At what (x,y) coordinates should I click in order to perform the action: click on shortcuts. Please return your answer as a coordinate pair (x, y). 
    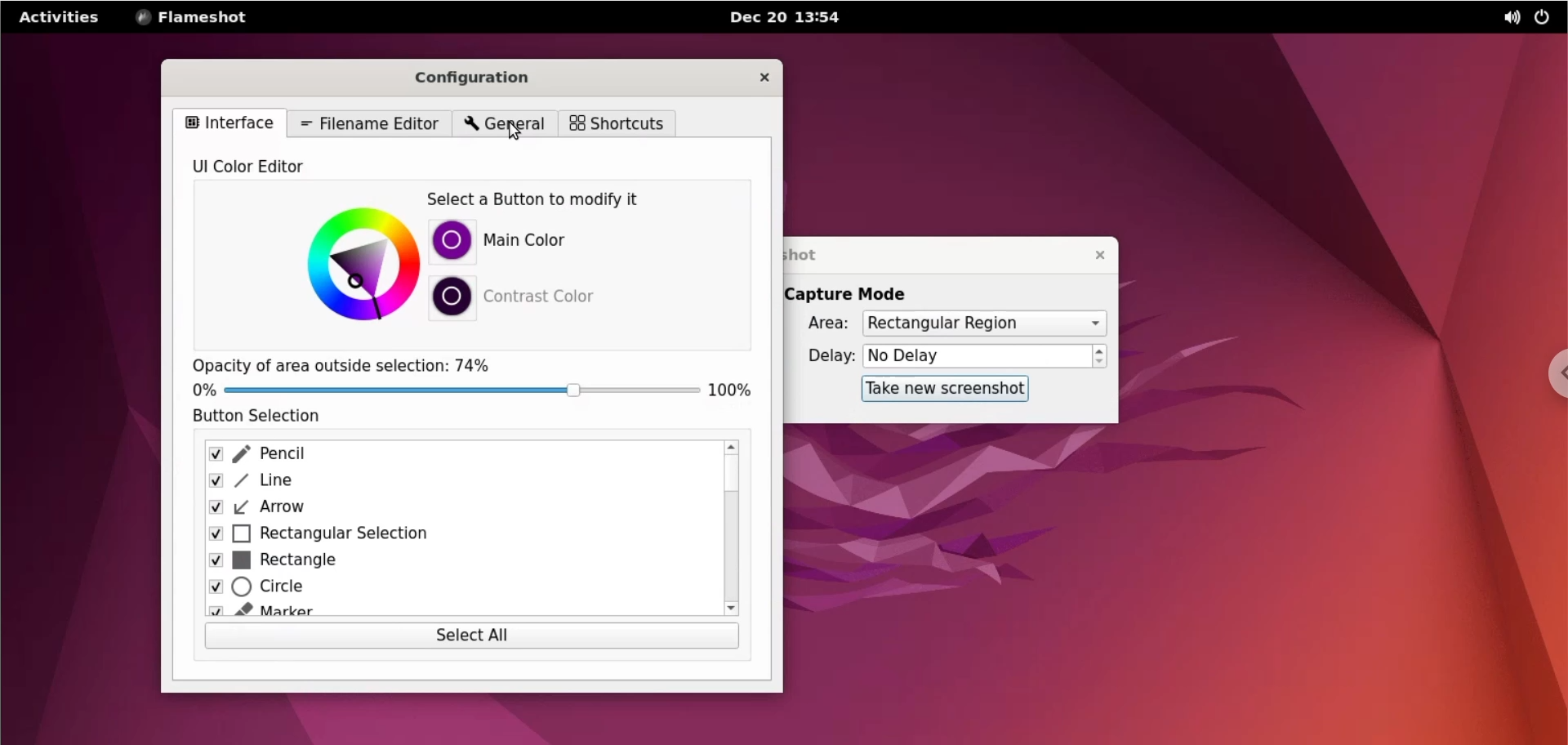
    Looking at the image, I should click on (617, 123).